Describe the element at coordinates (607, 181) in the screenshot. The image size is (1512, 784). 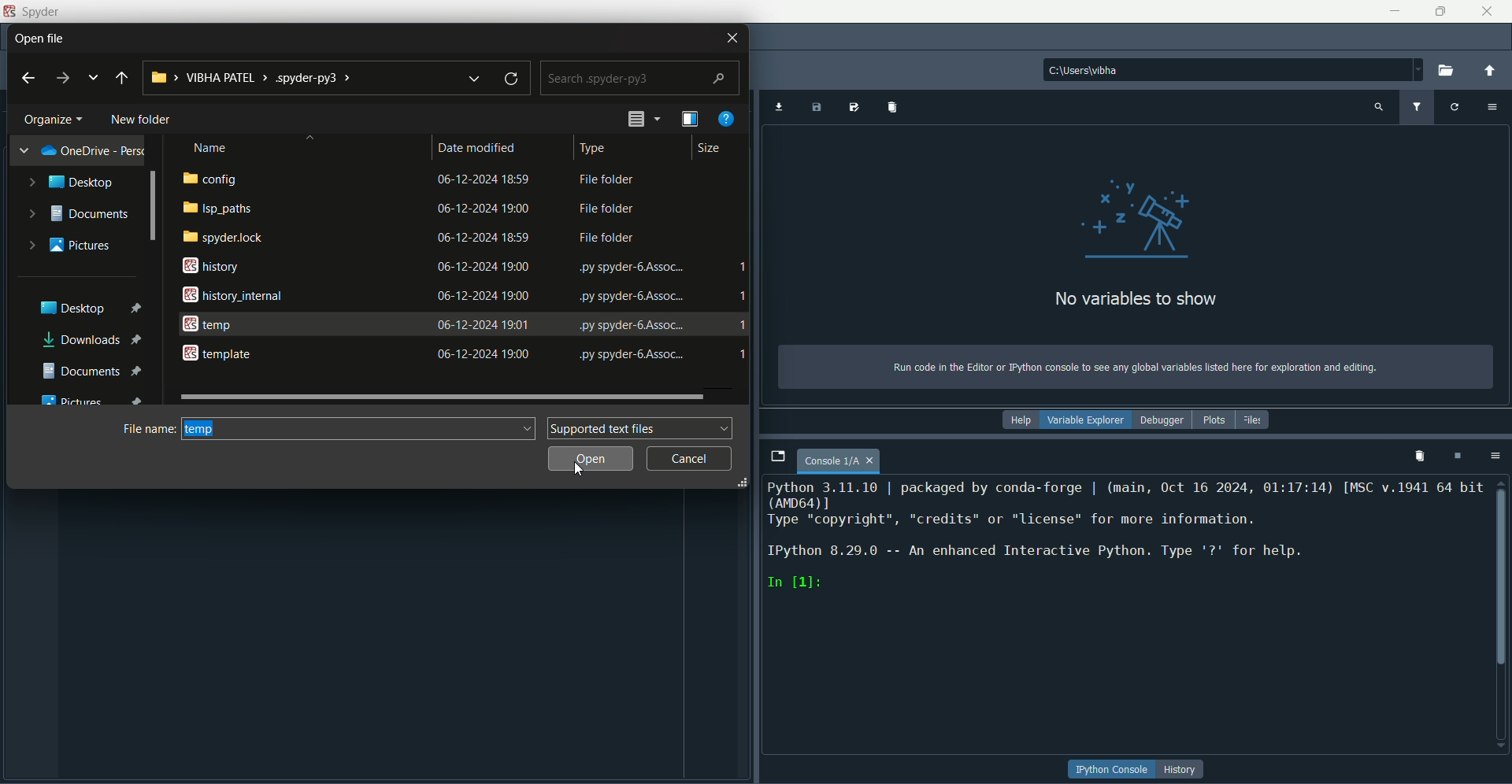
I see `text` at that location.